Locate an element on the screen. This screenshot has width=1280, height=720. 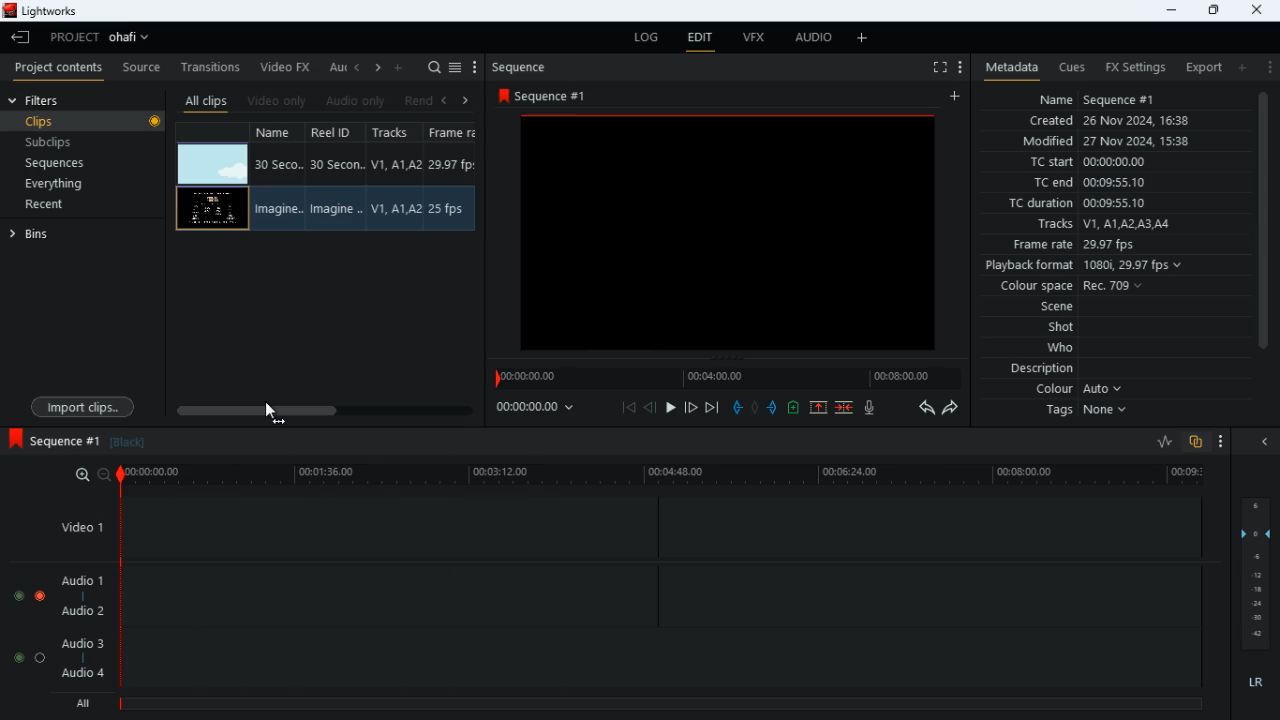
add is located at coordinates (960, 96).